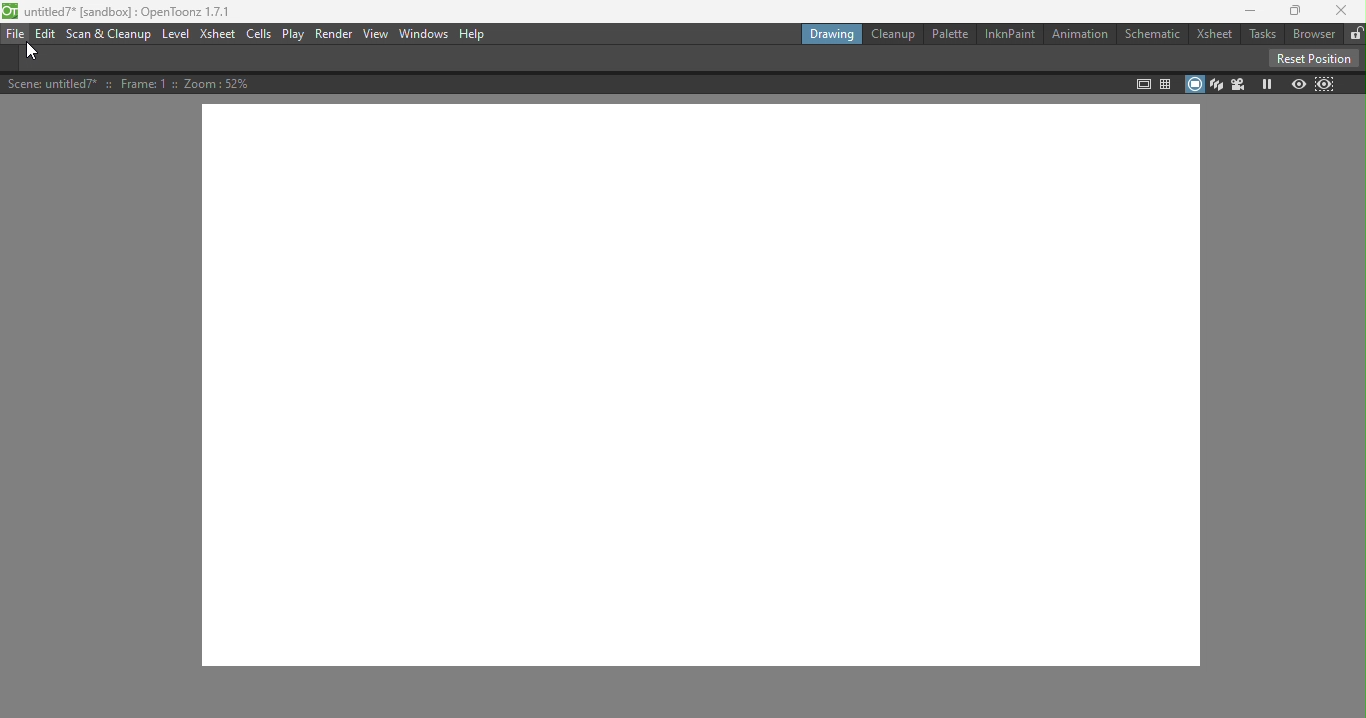 Image resolution: width=1366 pixels, height=718 pixels. I want to click on File name, so click(131, 11).